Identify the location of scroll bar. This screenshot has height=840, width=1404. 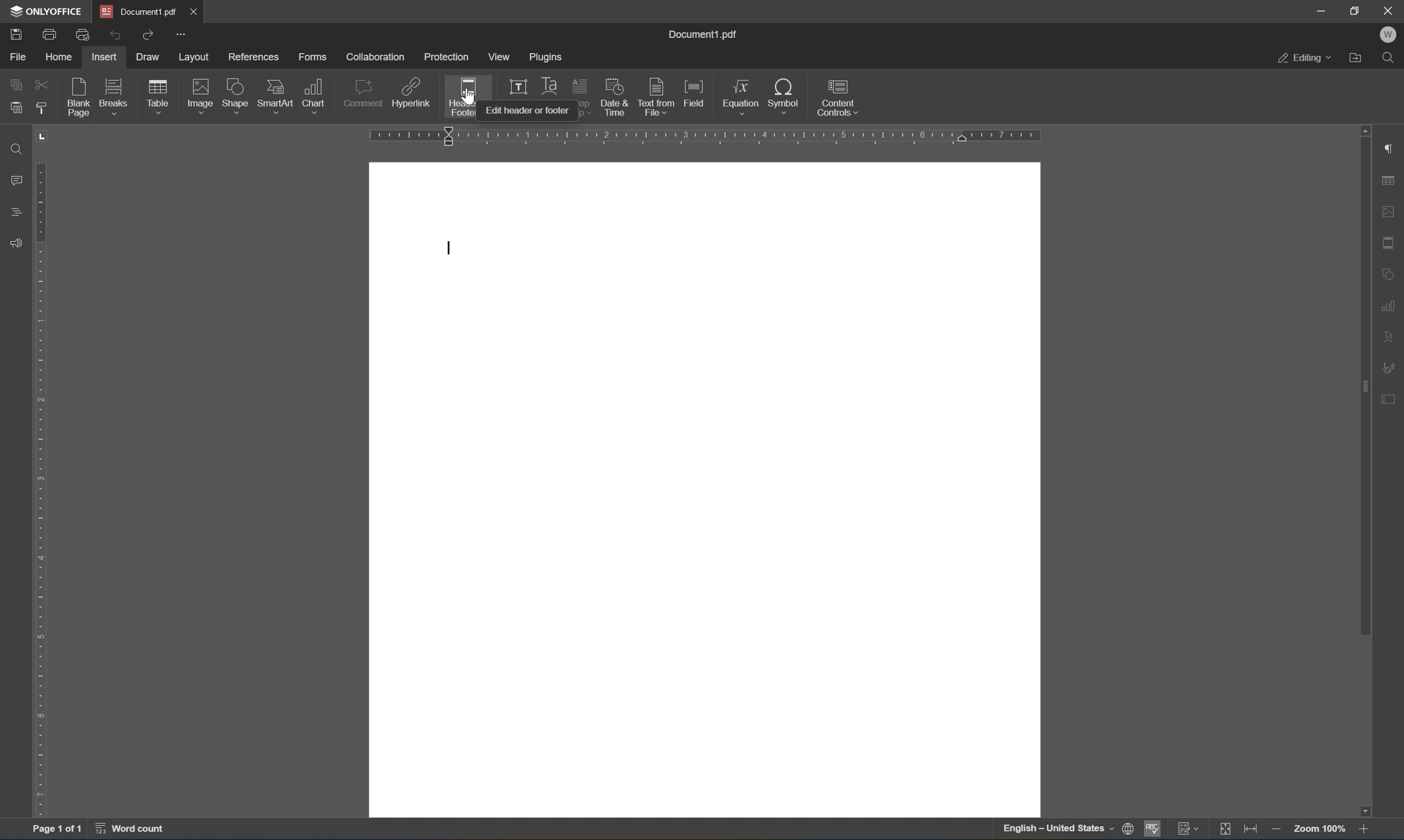
(1361, 380).